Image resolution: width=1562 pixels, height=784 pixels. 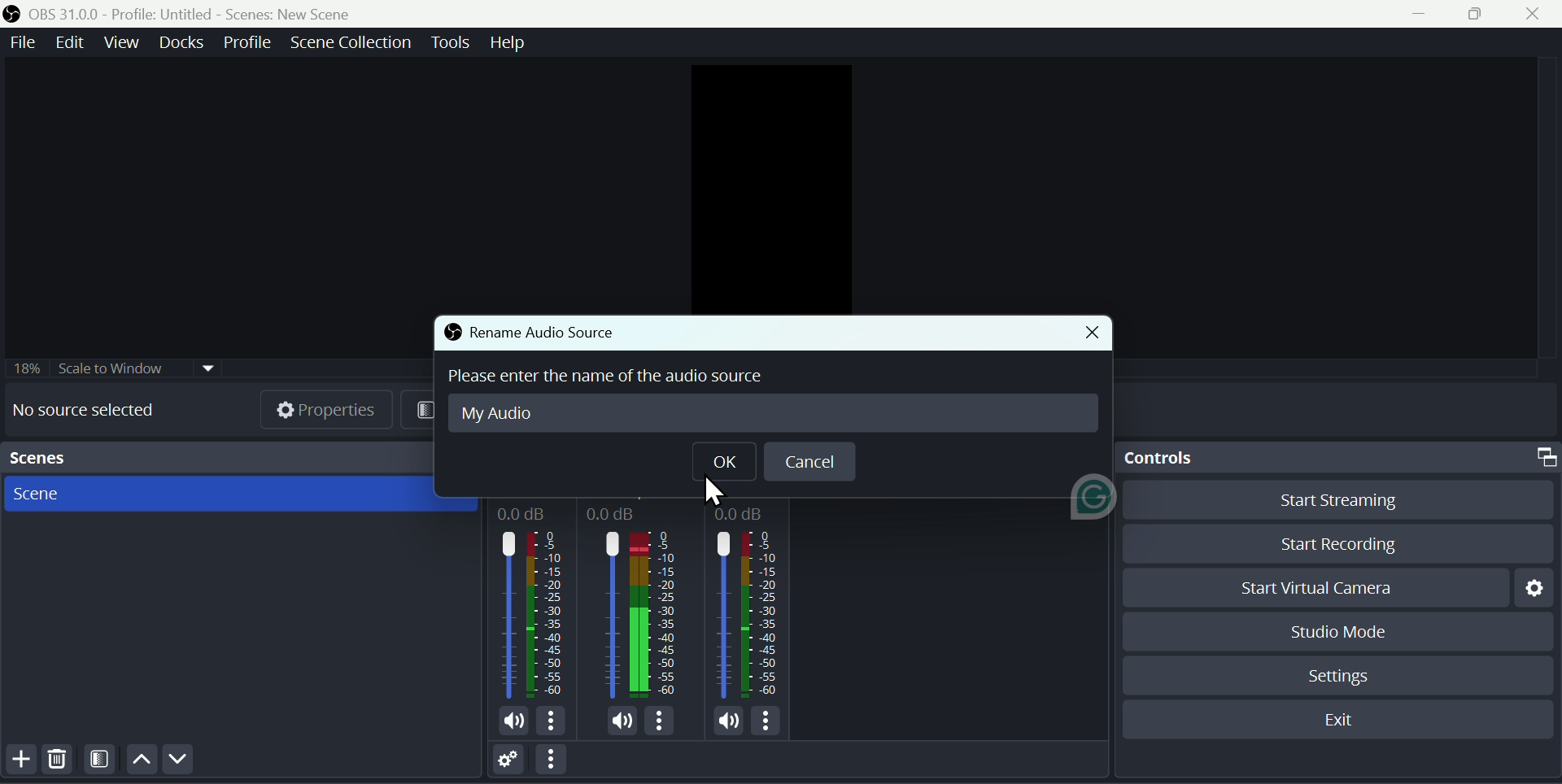 I want to click on Controls, so click(x=1338, y=459).